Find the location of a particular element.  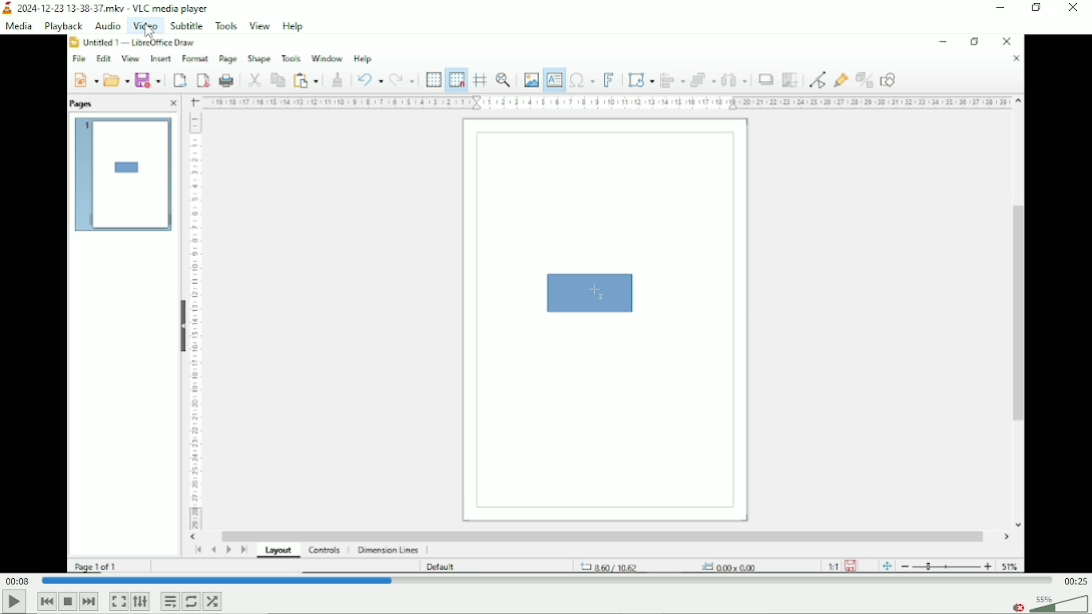

2024-12-23 13-38-37.mkv VLC media player is located at coordinates (109, 8).